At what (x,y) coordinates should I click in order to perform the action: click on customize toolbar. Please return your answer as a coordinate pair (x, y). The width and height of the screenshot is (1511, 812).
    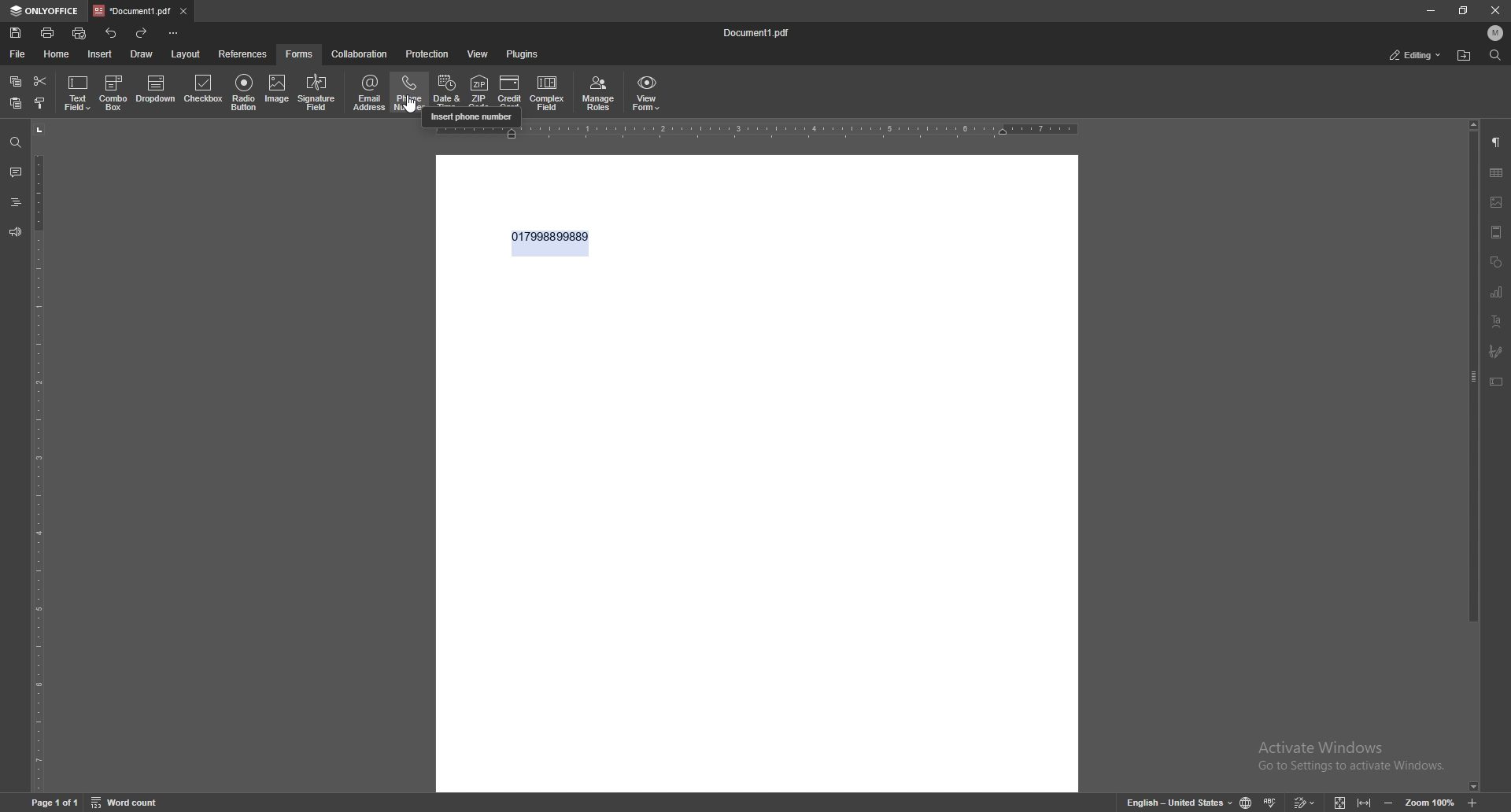
    Looking at the image, I should click on (173, 34).